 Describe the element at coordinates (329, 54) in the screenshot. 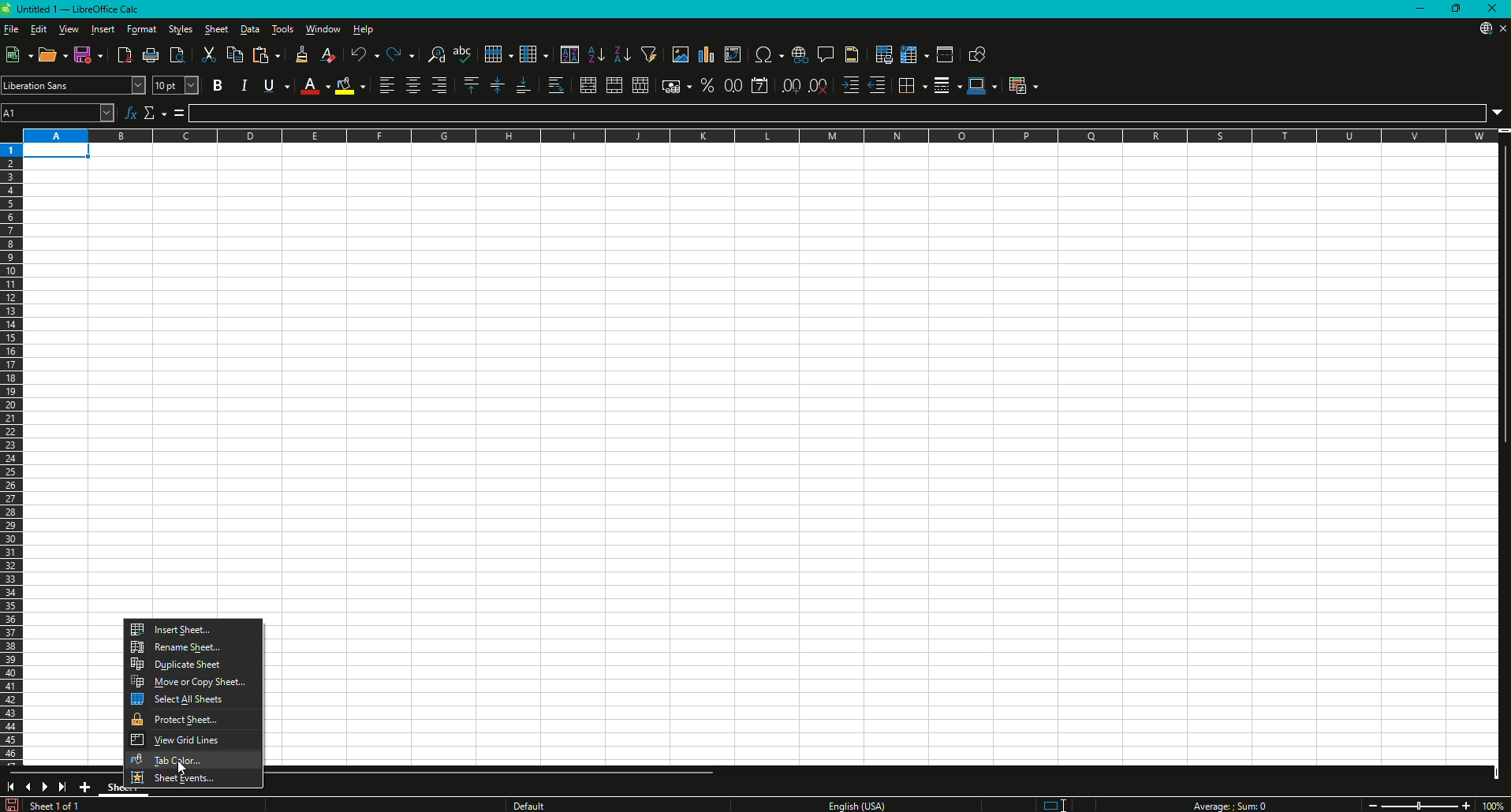

I see `Clear Direction Formatting` at that location.